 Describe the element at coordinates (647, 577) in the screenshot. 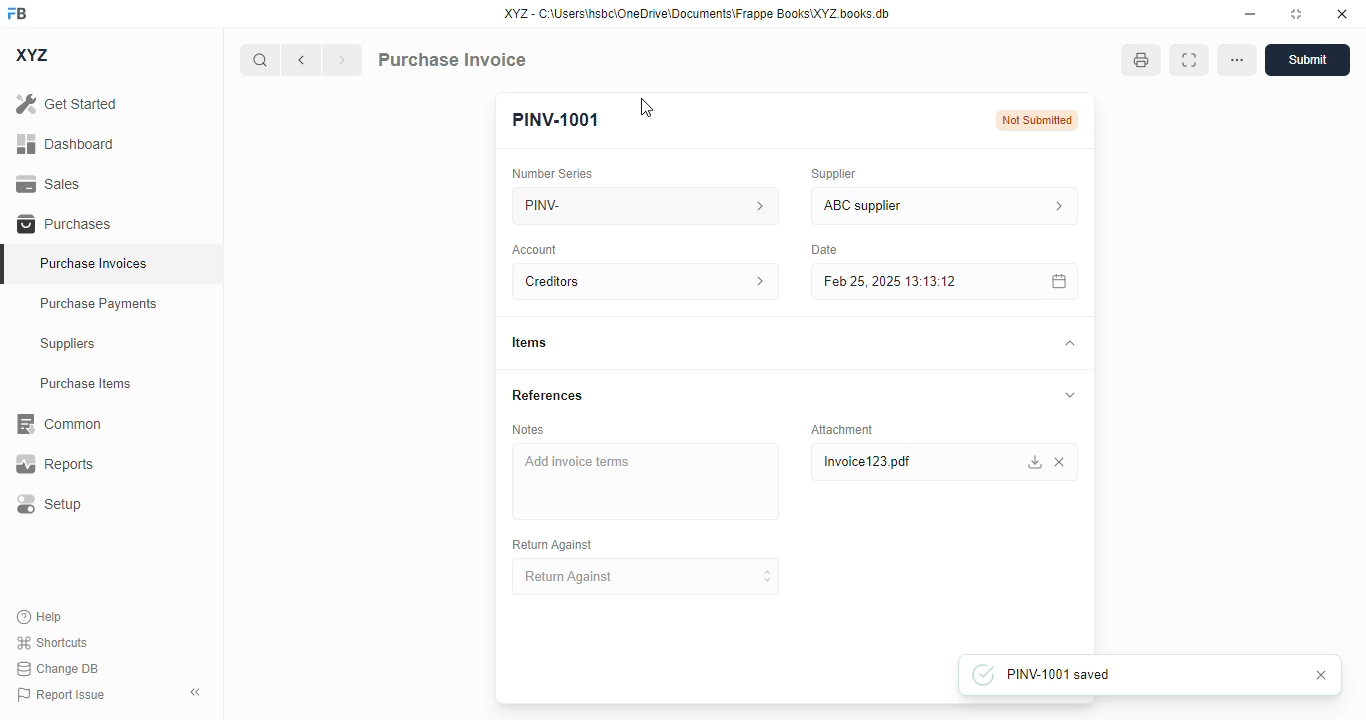

I see `return against` at that location.